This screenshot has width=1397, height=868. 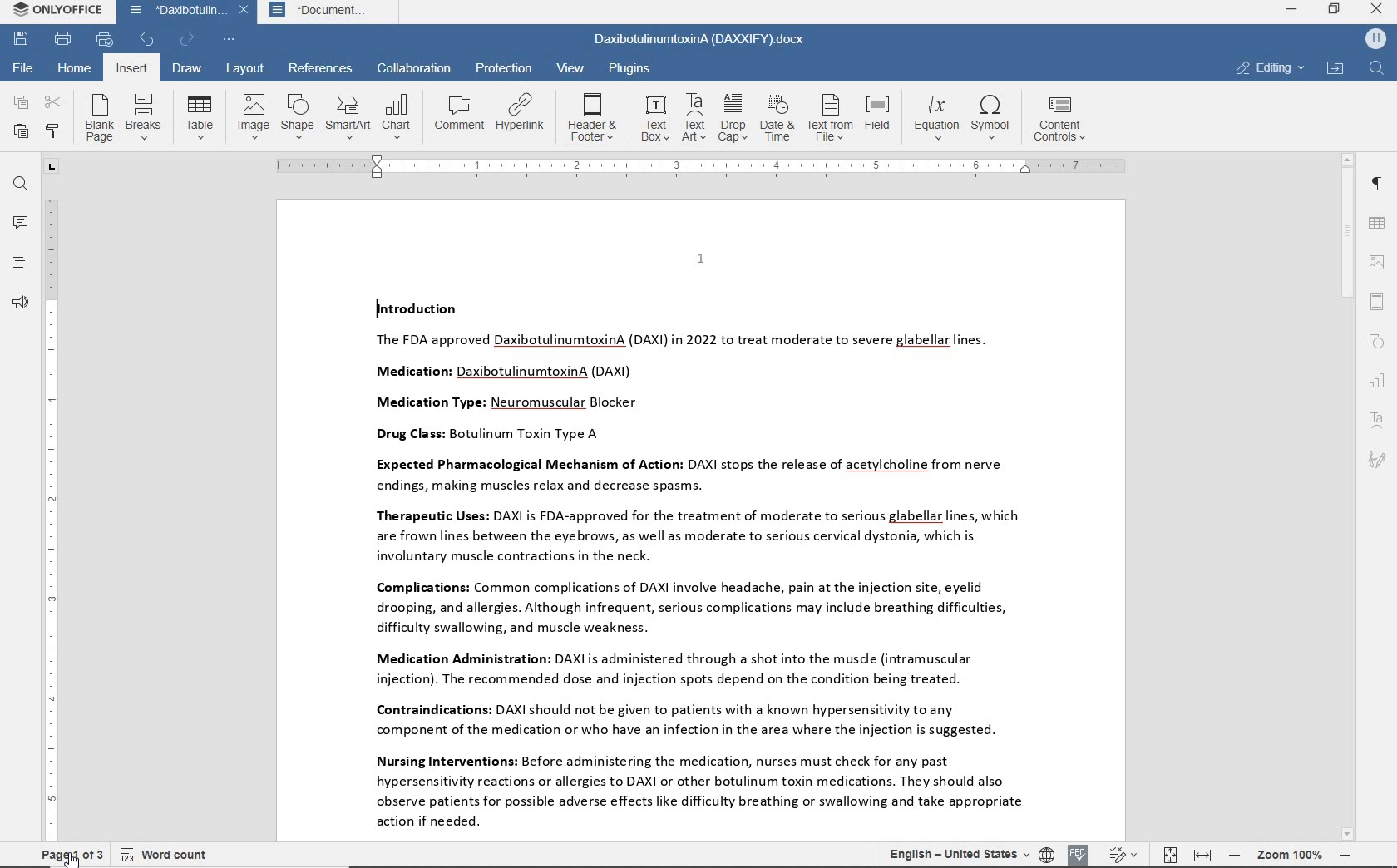 What do you see at coordinates (1375, 183) in the screenshot?
I see `paragraph settings` at bounding box center [1375, 183].